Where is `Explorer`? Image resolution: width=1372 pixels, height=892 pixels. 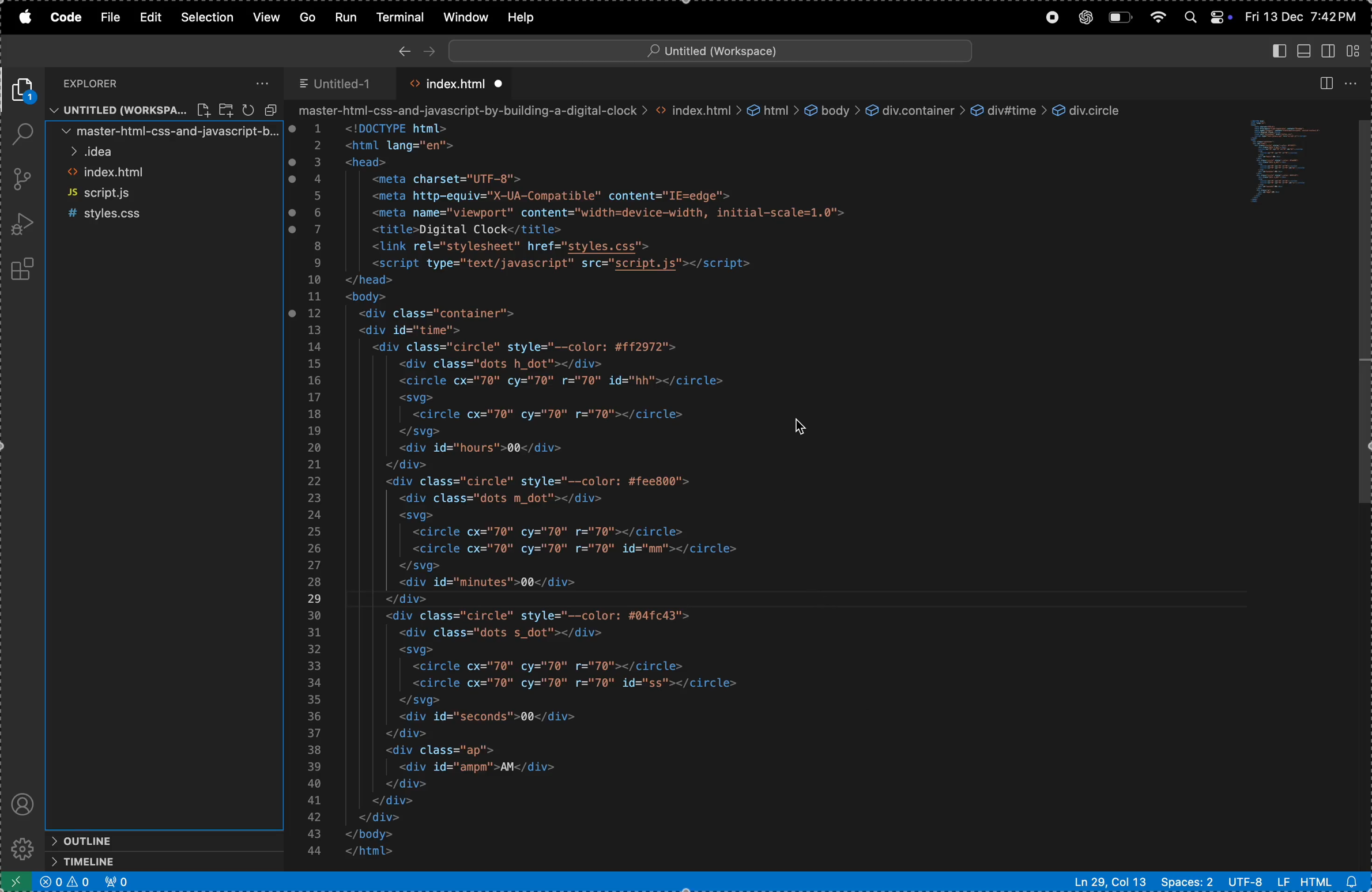 Explorer is located at coordinates (107, 82).